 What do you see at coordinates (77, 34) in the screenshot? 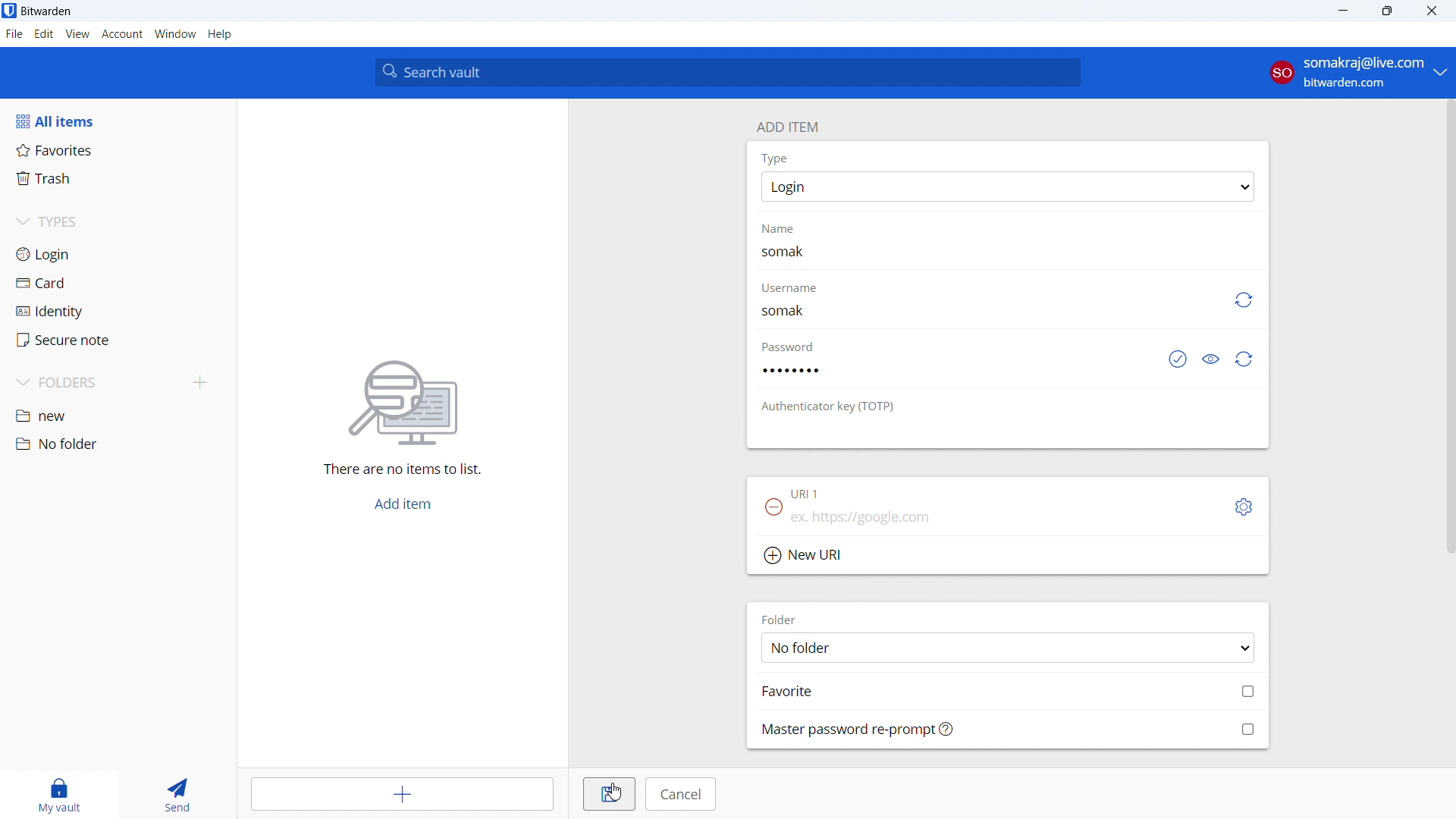
I see `view` at bounding box center [77, 34].